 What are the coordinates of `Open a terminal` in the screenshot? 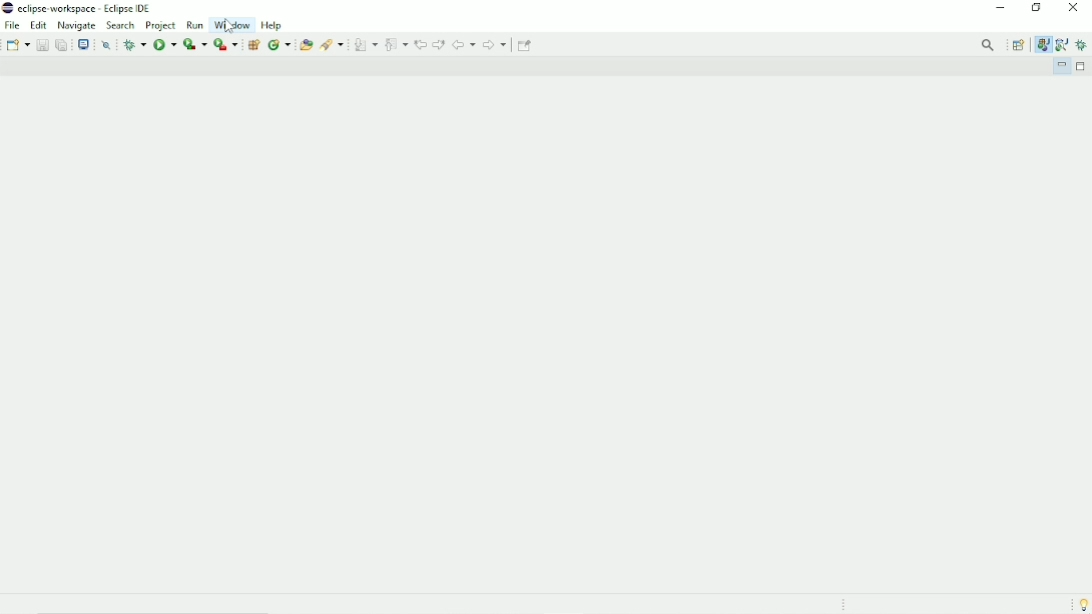 It's located at (83, 43).